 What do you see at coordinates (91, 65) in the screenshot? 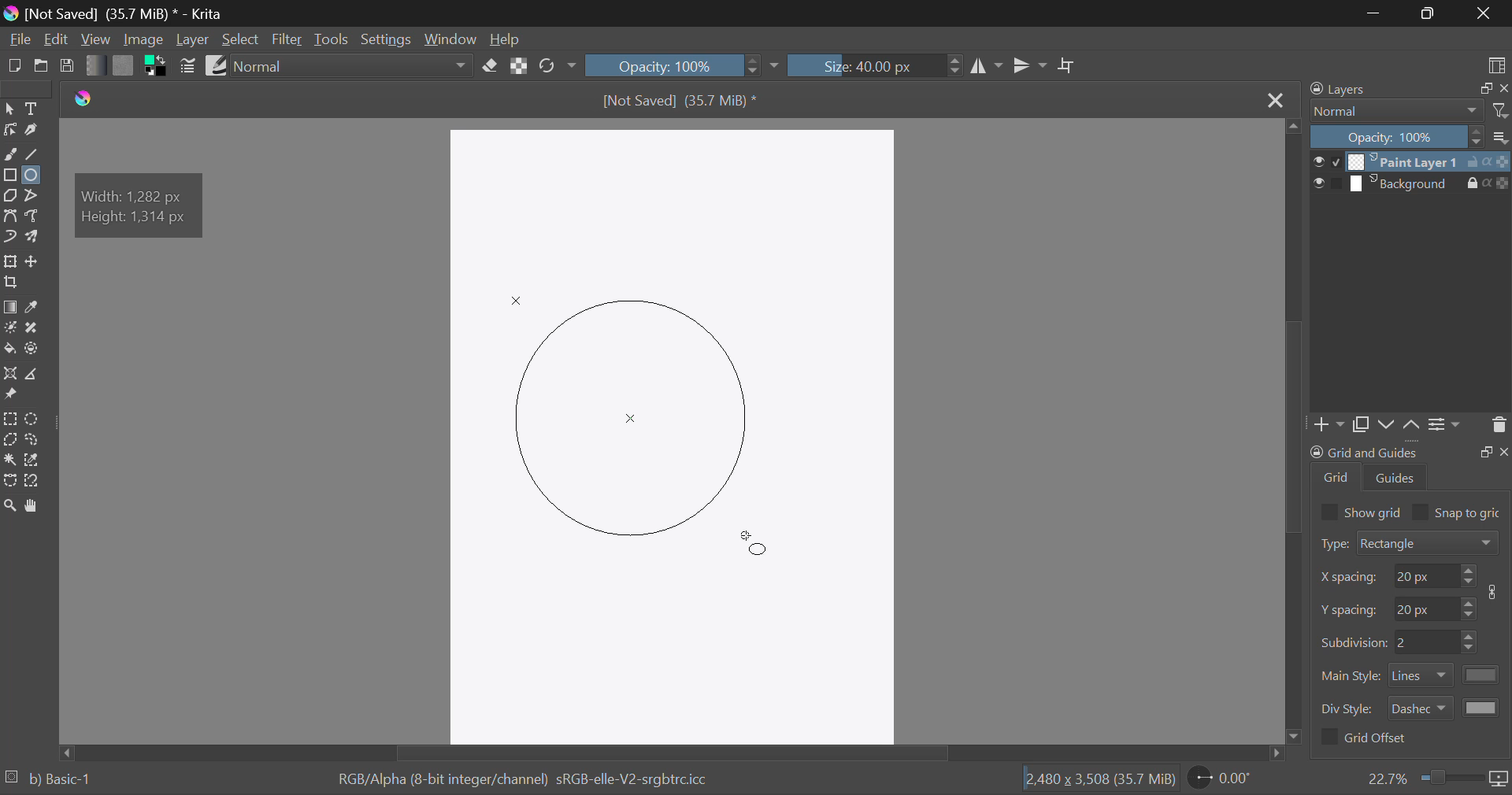
I see `Gradient` at bounding box center [91, 65].